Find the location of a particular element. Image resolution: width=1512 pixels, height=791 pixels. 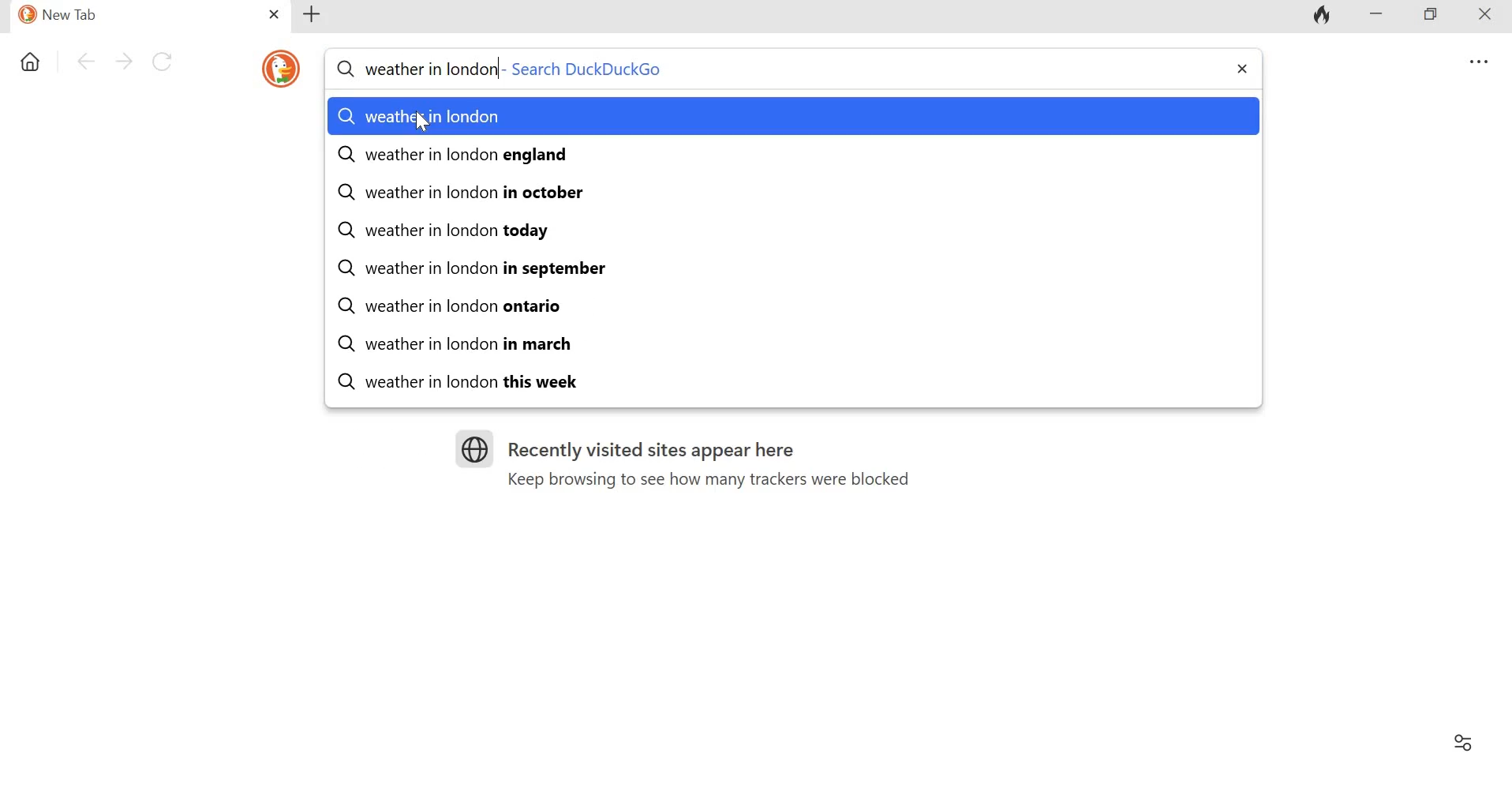

Filter settings is located at coordinates (1465, 742).